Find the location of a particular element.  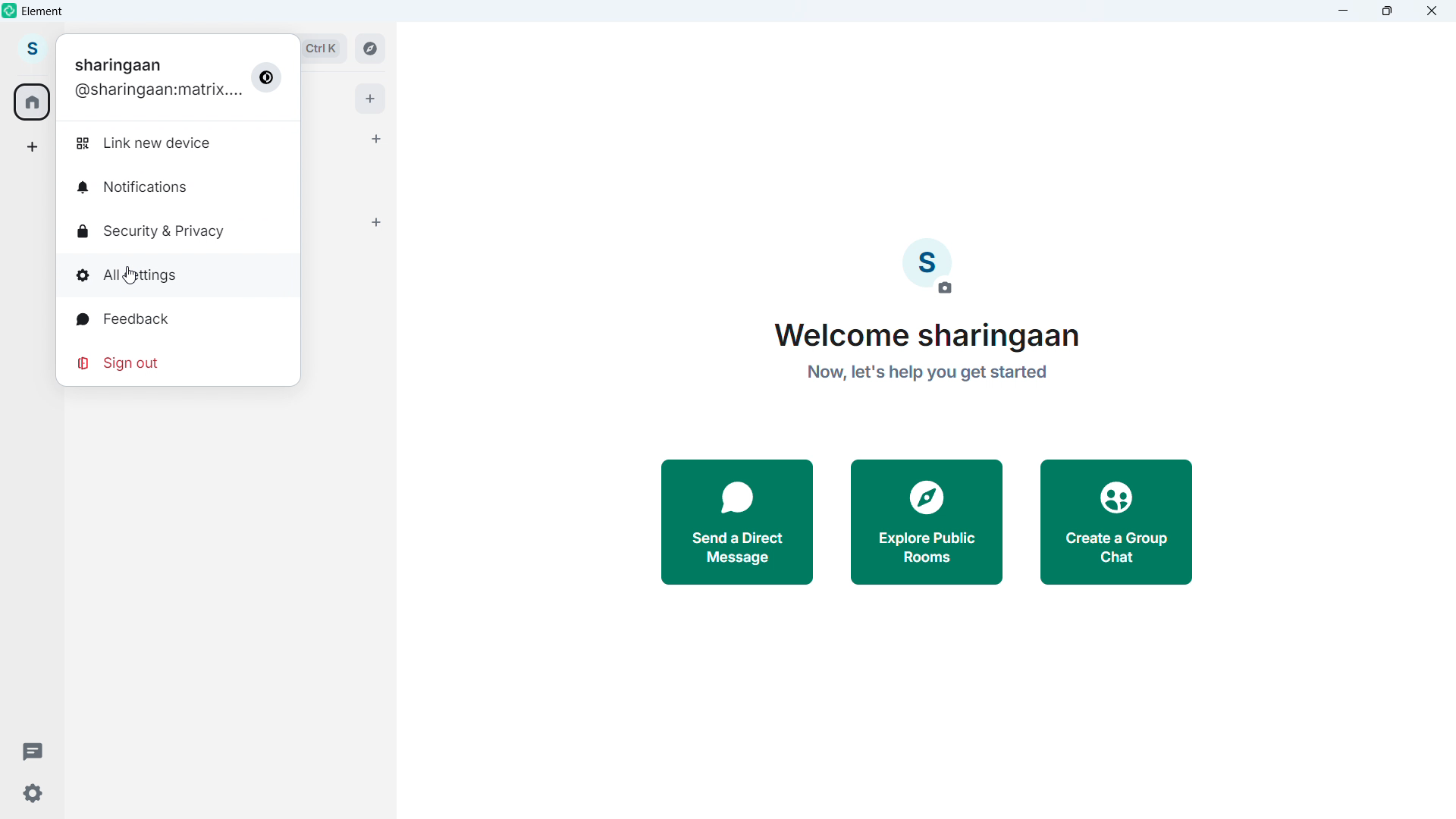

Now, let's help you get started is located at coordinates (927, 373).